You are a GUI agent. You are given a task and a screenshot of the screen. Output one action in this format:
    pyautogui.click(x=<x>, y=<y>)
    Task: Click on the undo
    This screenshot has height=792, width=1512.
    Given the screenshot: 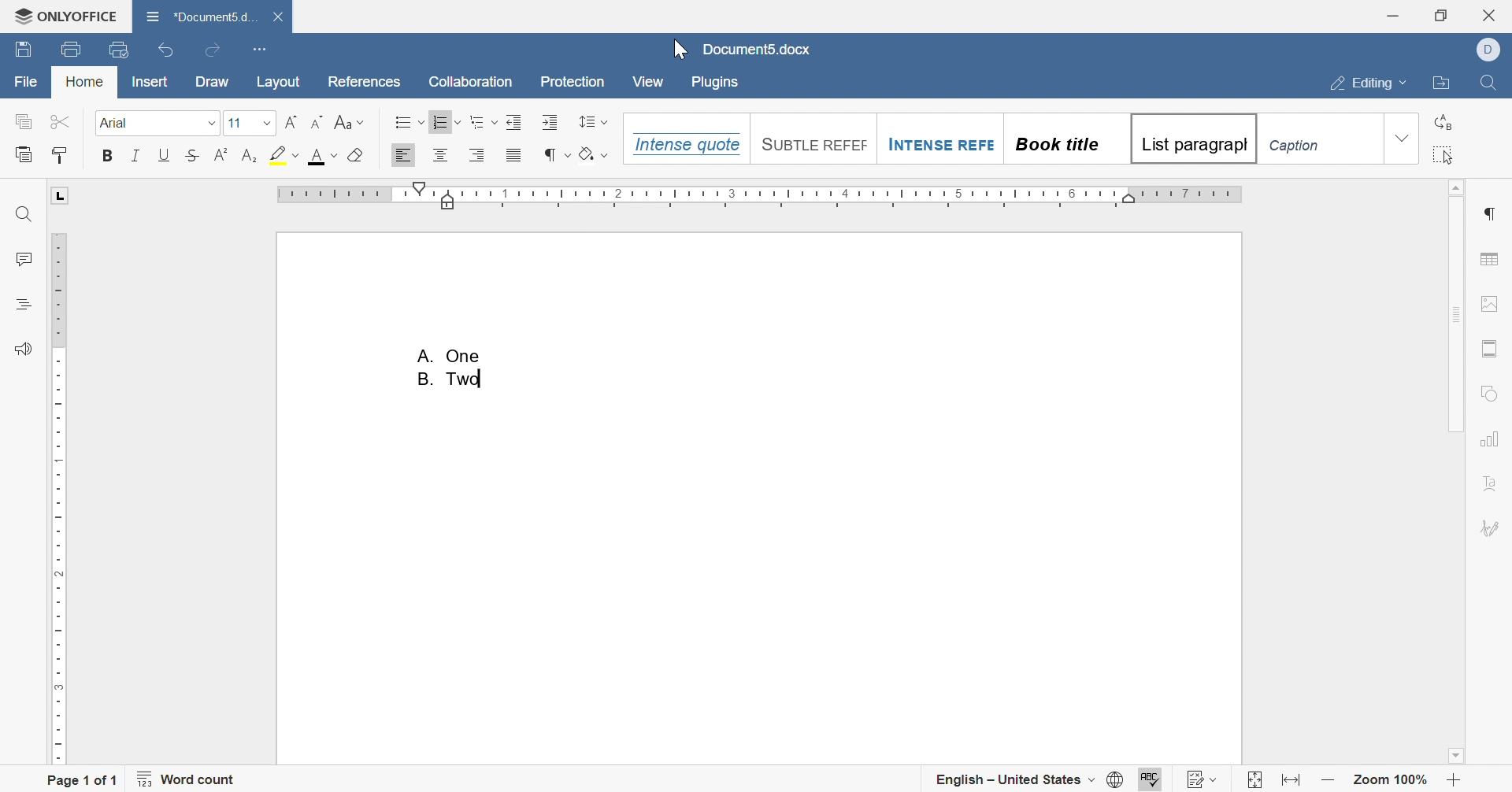 What is the action you would take?
    pyautogui.click(x=168, y=50)
    